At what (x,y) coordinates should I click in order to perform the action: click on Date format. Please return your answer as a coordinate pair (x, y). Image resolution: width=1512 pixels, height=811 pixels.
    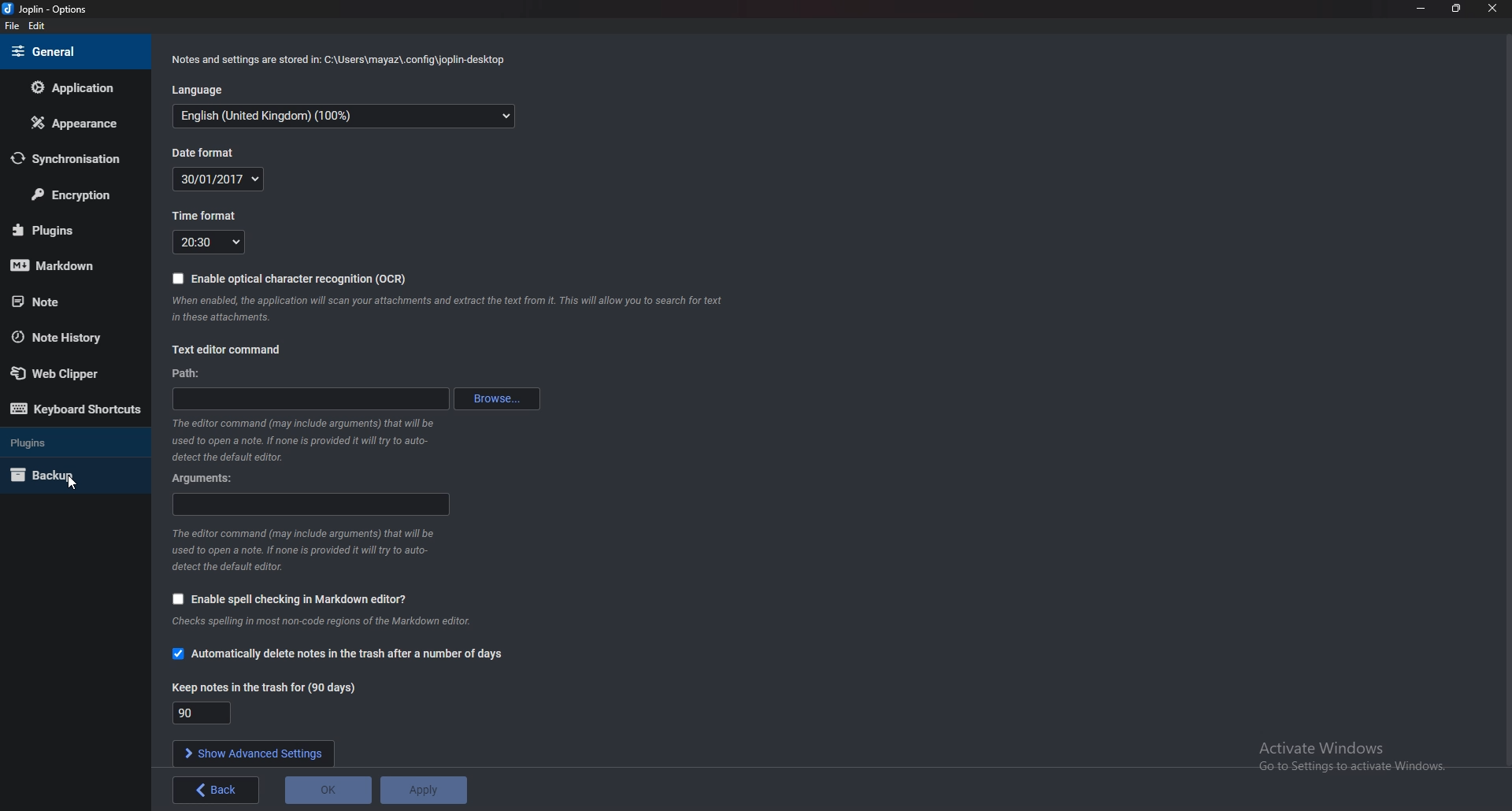
    Looking at the image, I should click on (208, 153).